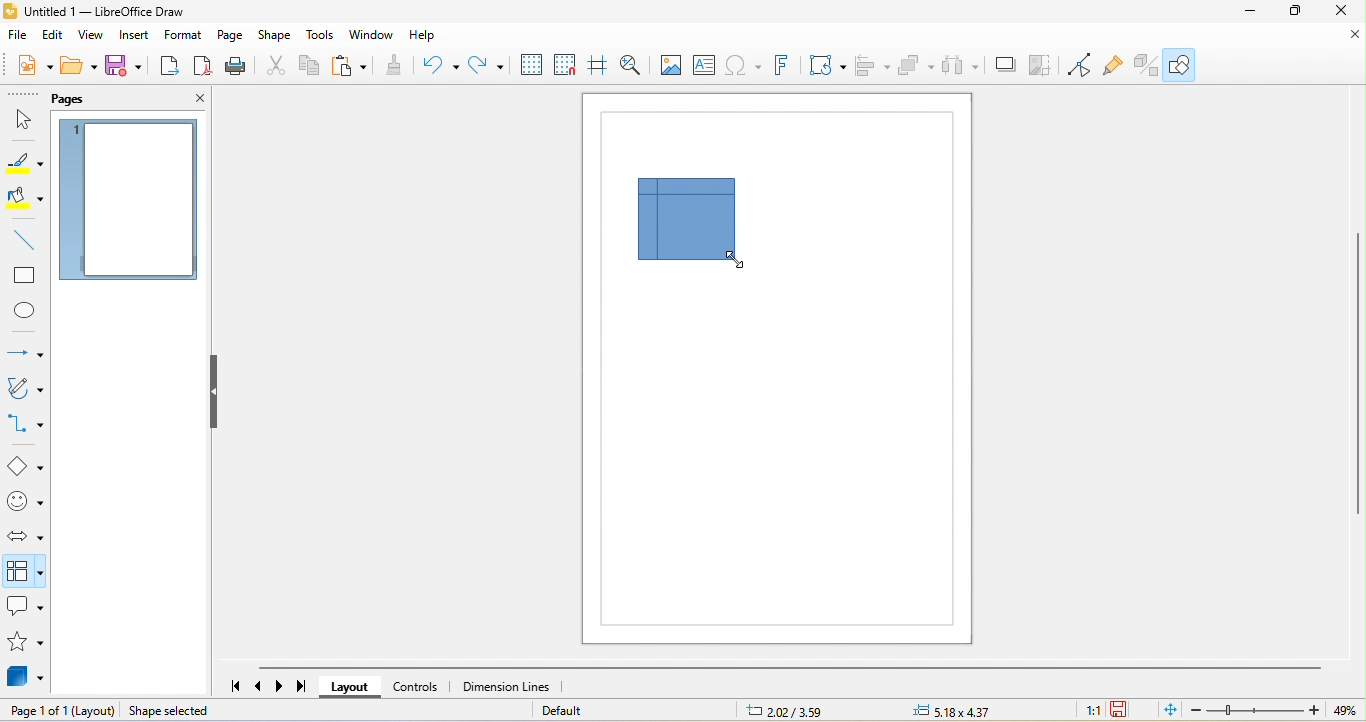 The image size is (1366, 722). I want to click on scroll to previous page, so click(260, 687).